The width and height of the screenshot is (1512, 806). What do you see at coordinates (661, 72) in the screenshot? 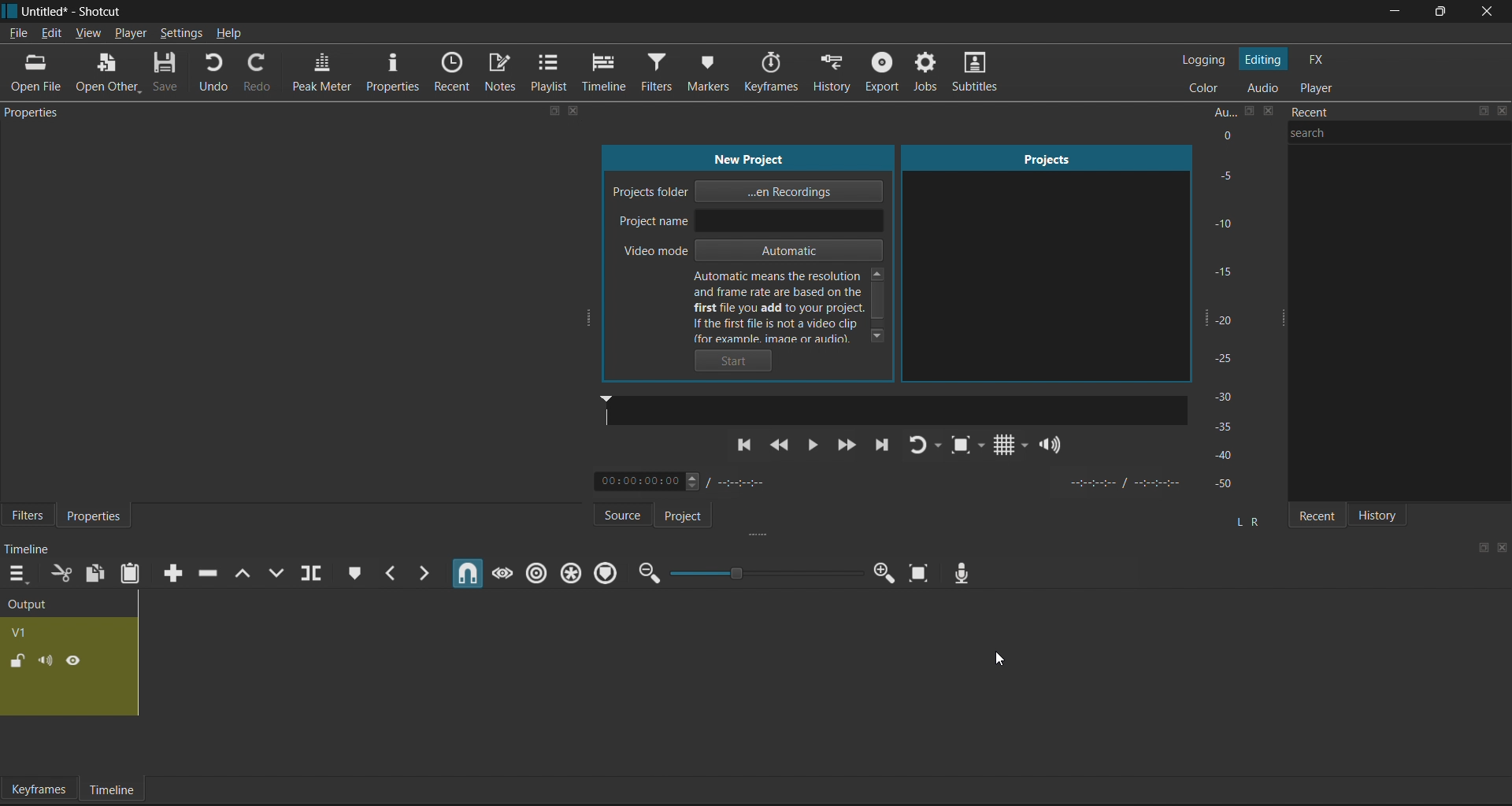
I see `Filters` at bounding box center [661, 72].